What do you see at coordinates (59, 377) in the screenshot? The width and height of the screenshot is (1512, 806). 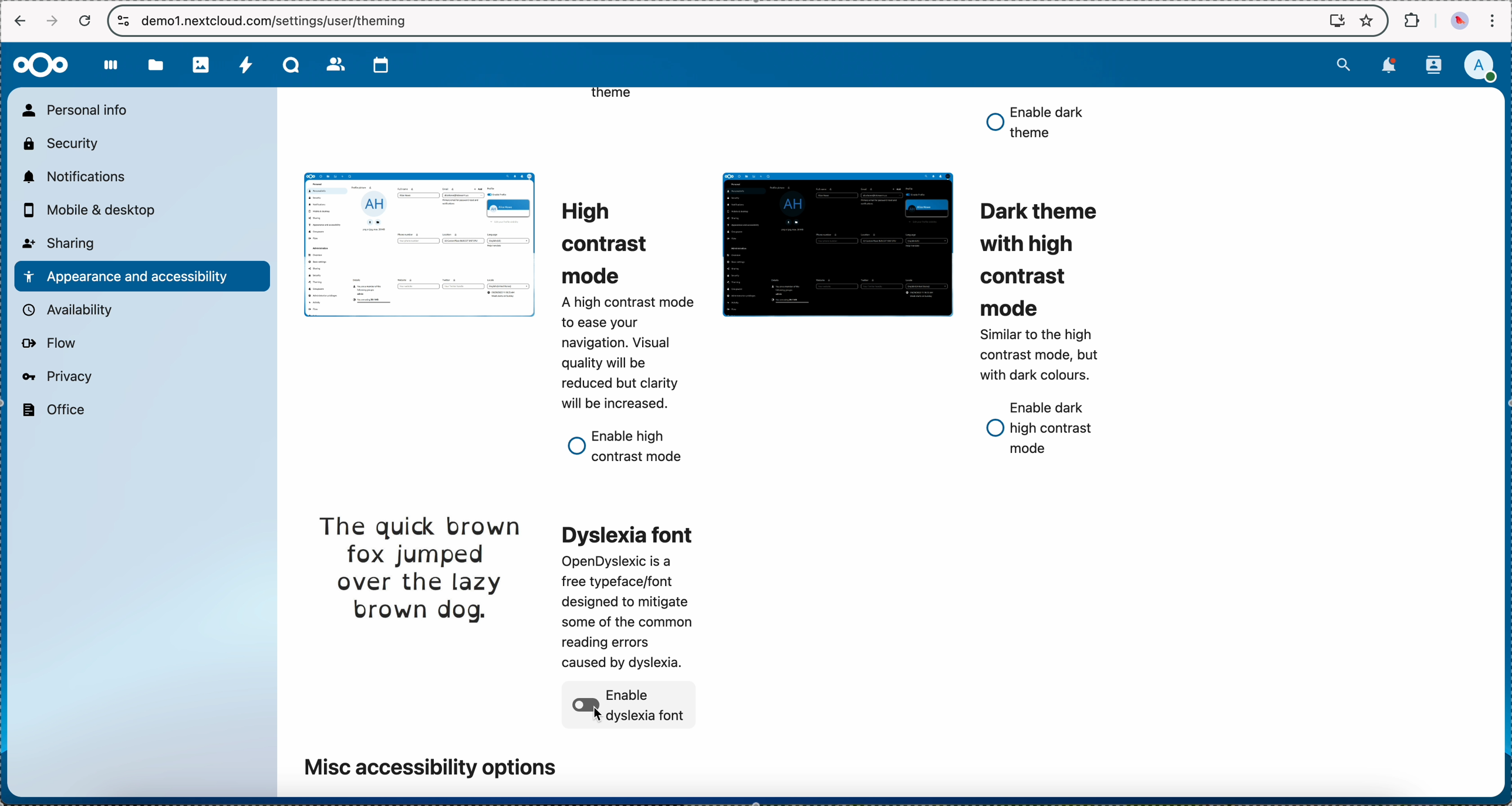 I see `privacy` at bounding box center [59, 377].